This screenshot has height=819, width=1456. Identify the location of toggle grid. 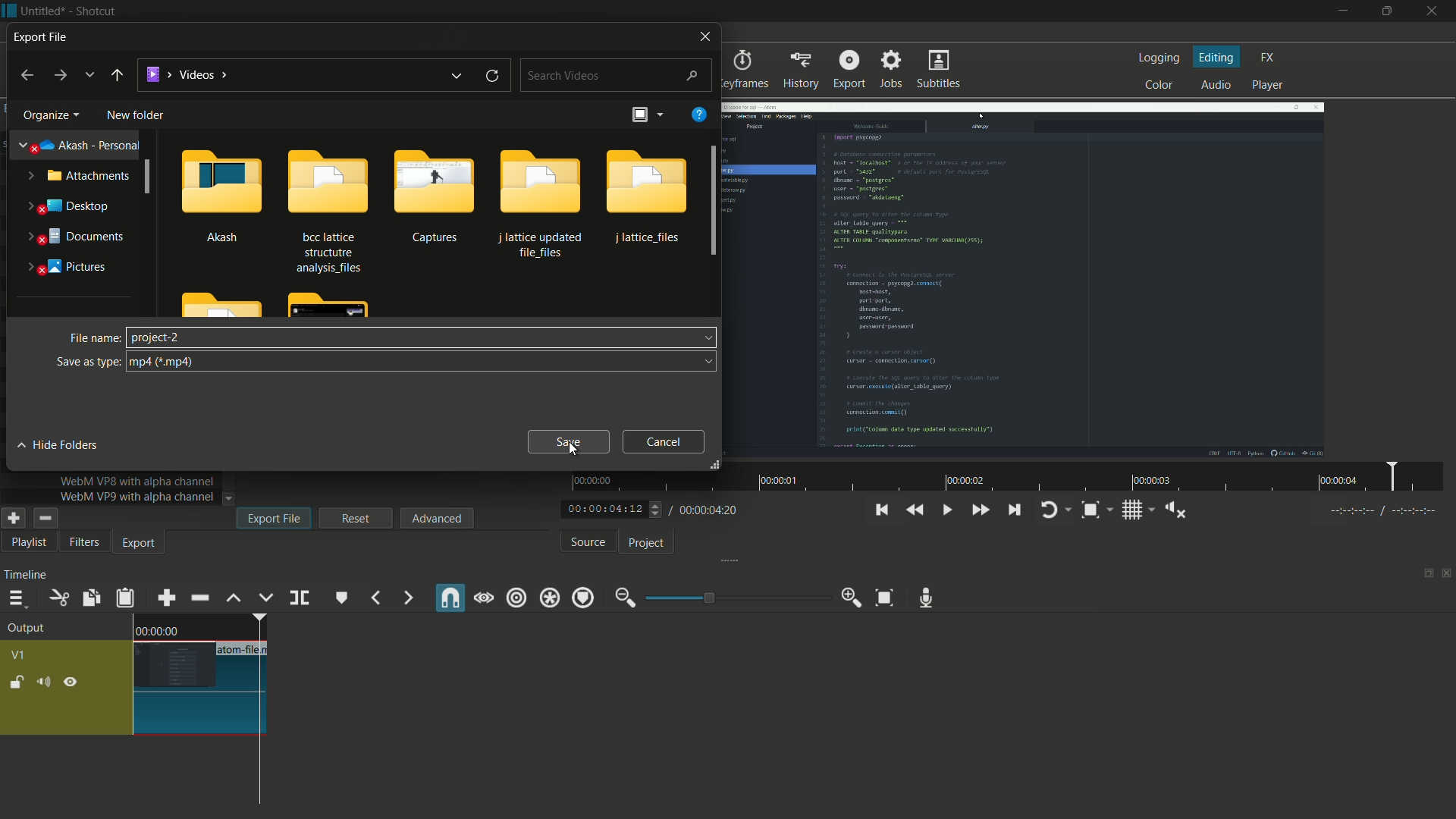
(1132, 512).